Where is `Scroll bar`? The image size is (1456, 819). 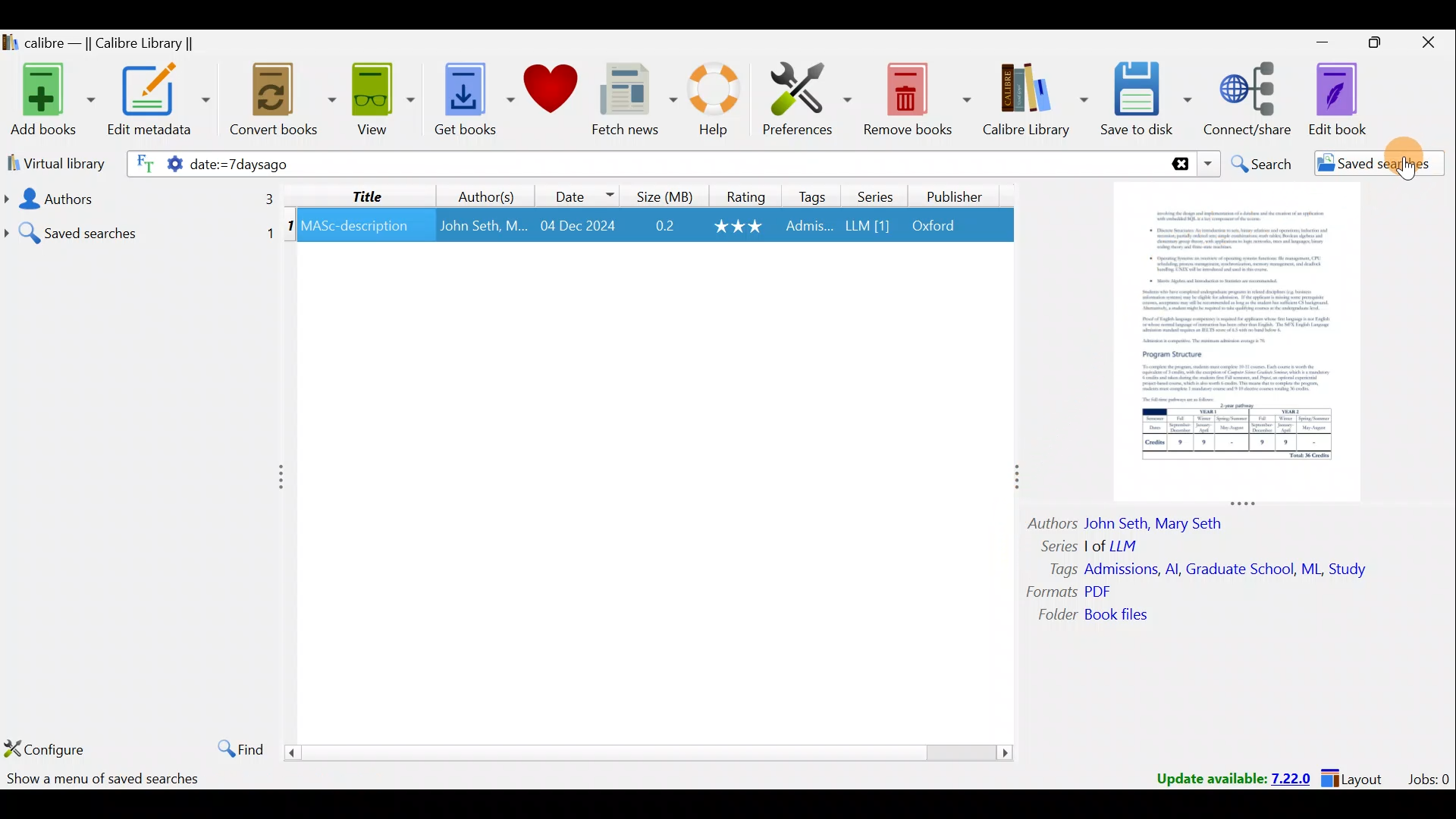
Scroll bar is located at coordinates (651, 752).